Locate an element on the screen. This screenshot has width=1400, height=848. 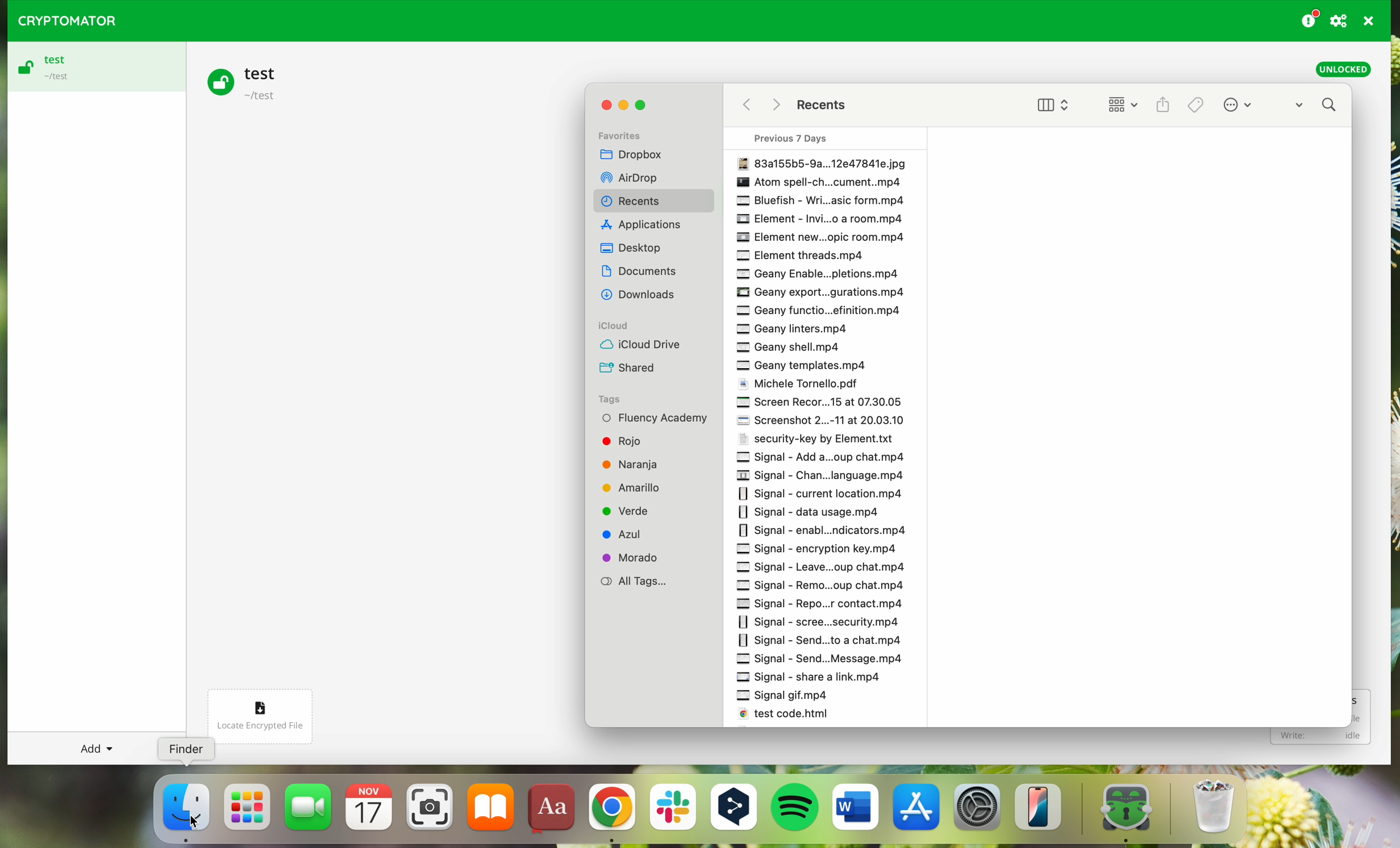
Screen Record is located at coordinates (820, 405).